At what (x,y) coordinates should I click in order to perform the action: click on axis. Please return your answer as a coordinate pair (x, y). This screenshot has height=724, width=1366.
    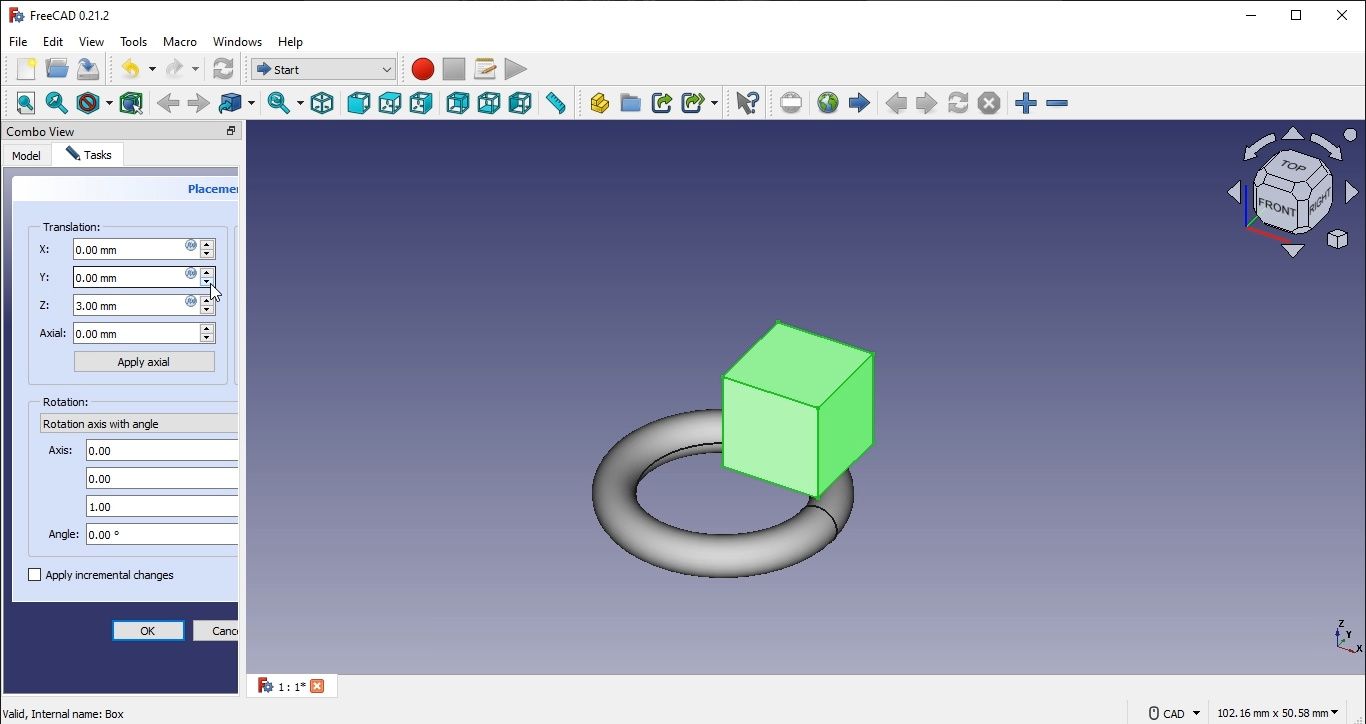
    Looking at the image, I should click on (163, 478).